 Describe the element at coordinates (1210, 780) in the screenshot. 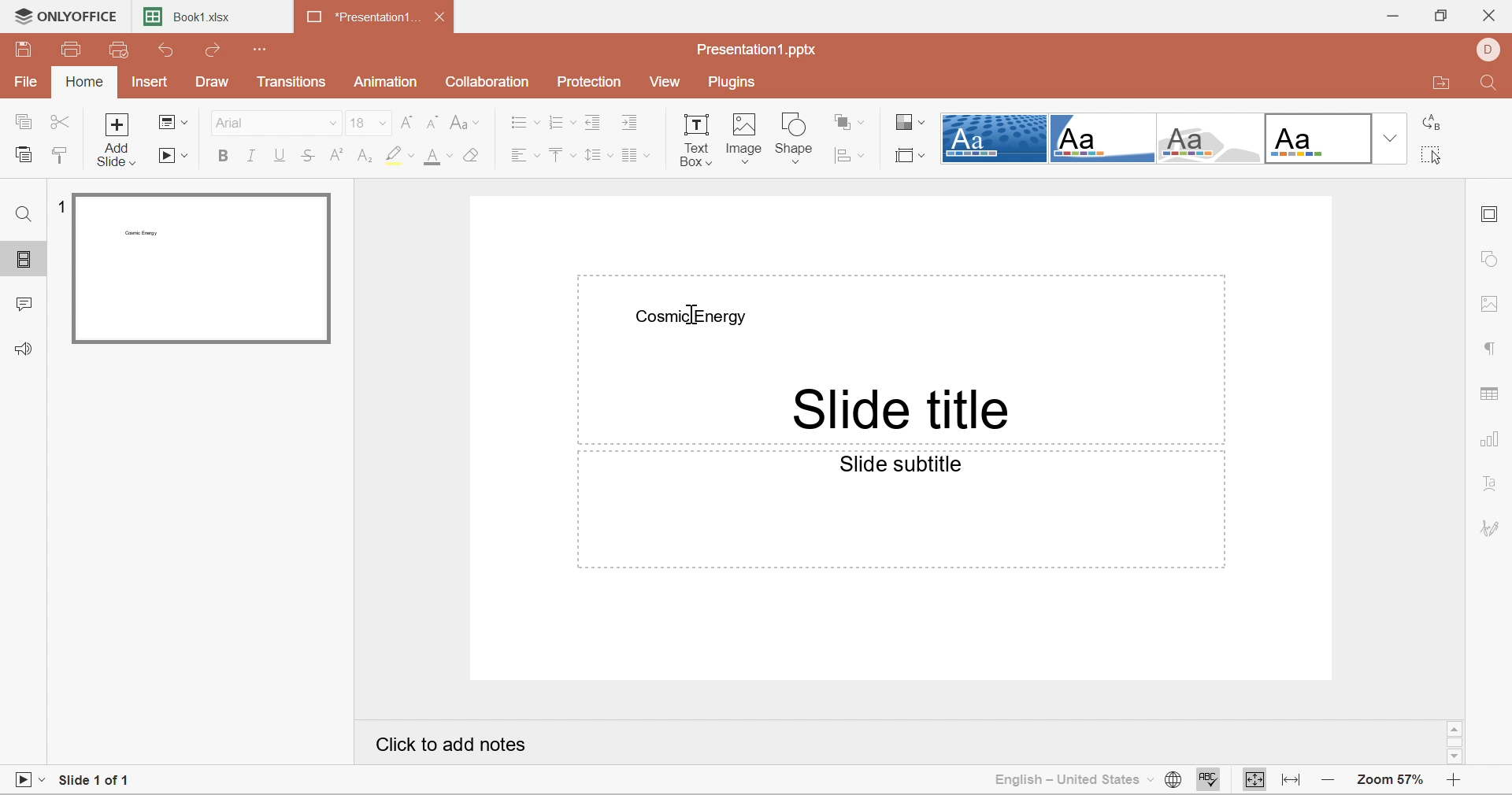

I see `Check spelling` at that location.